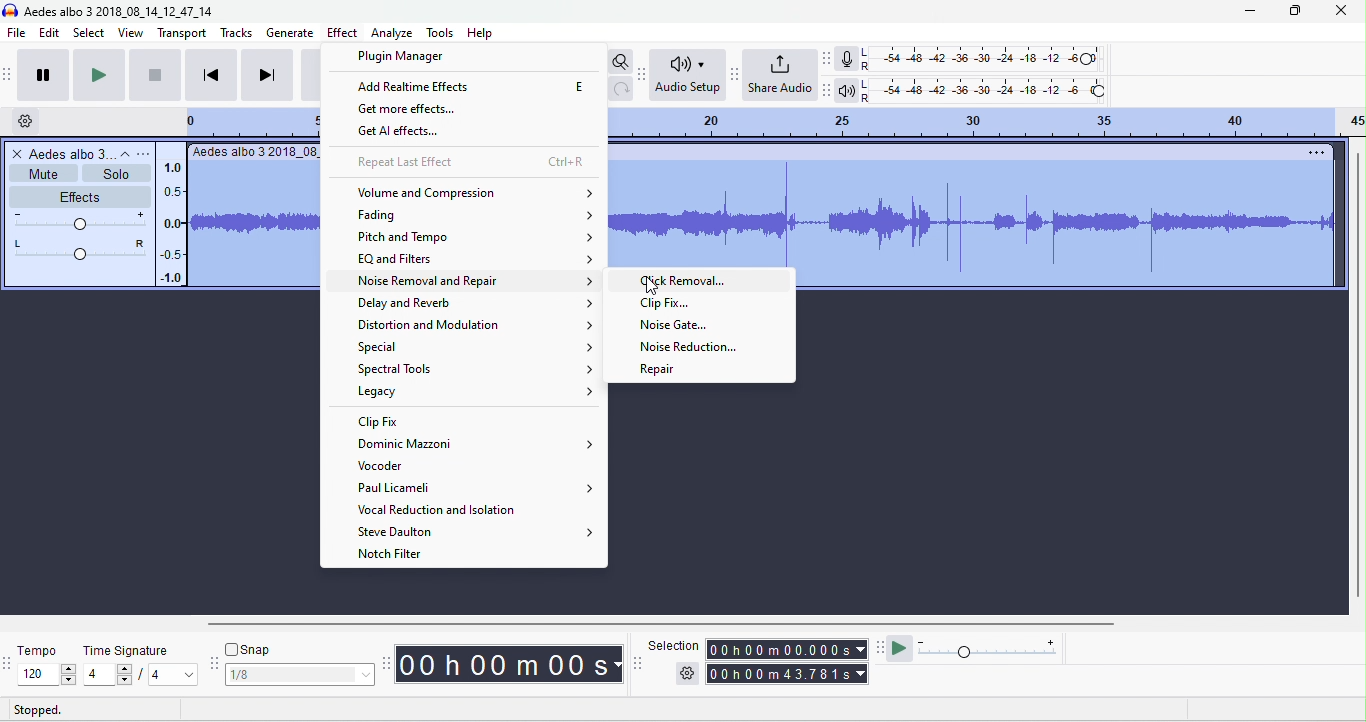 This screenshot has height=722, width=1366. I want to click on repeat last action, so click(471, 163).